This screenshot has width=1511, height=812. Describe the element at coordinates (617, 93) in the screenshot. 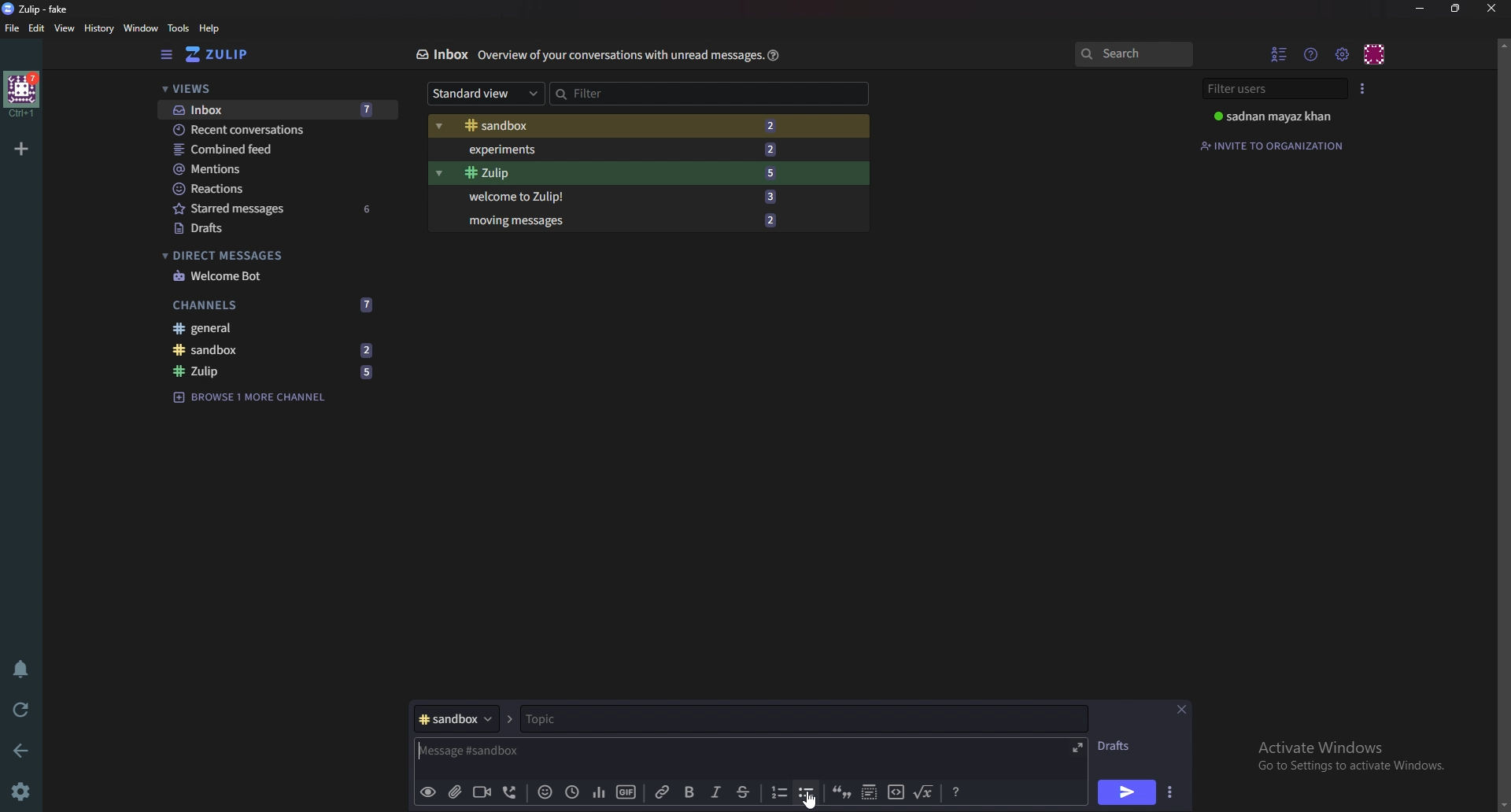

I see `Filter` at that location.